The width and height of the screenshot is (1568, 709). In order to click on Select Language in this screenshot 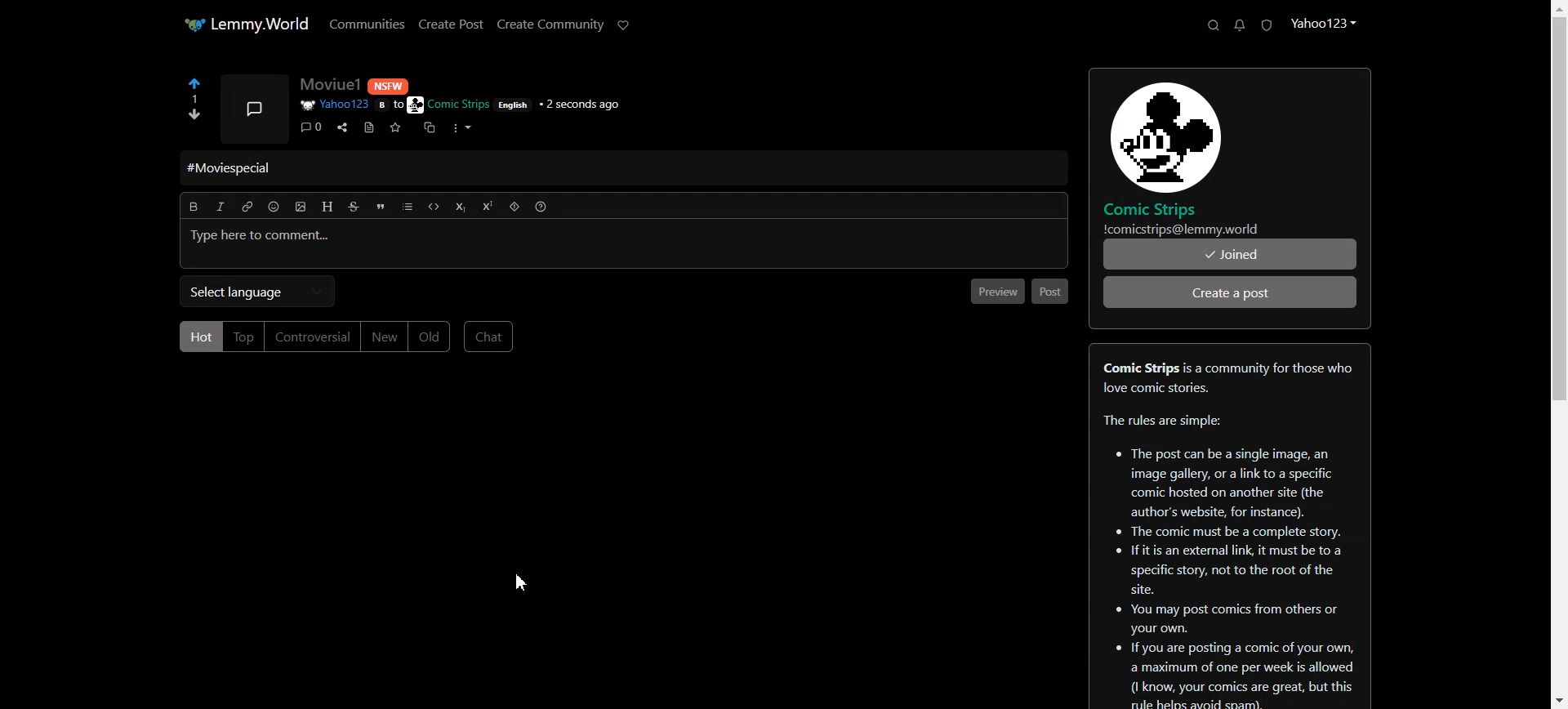, I will do `click(257, 292)`.